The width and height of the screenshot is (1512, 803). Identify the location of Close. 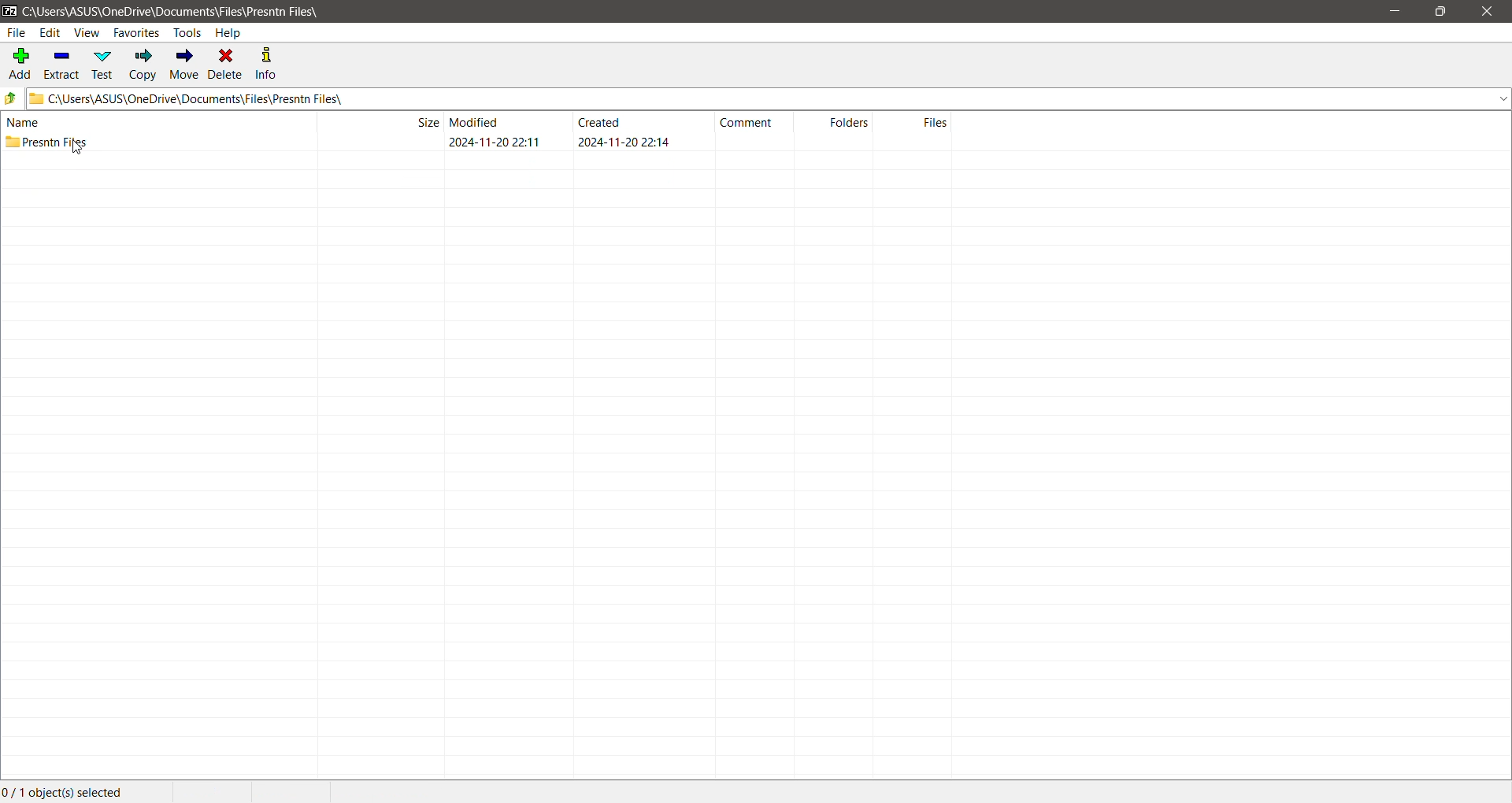
(1490, 12).